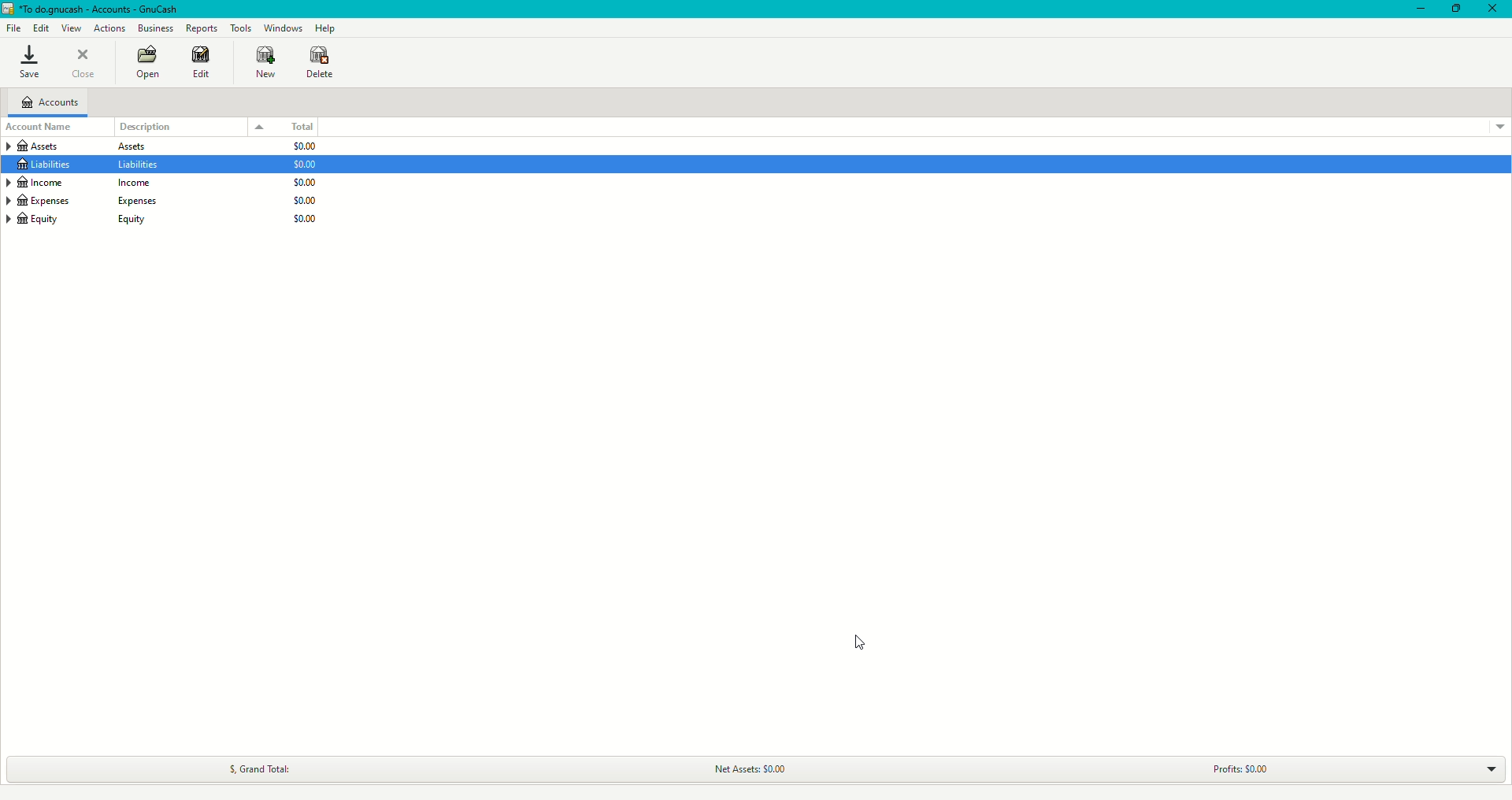 This screenshot has width=1512, height=800. Describe the element at coordinates (44, 29) in the screenshot. I see `Edit` at that location.